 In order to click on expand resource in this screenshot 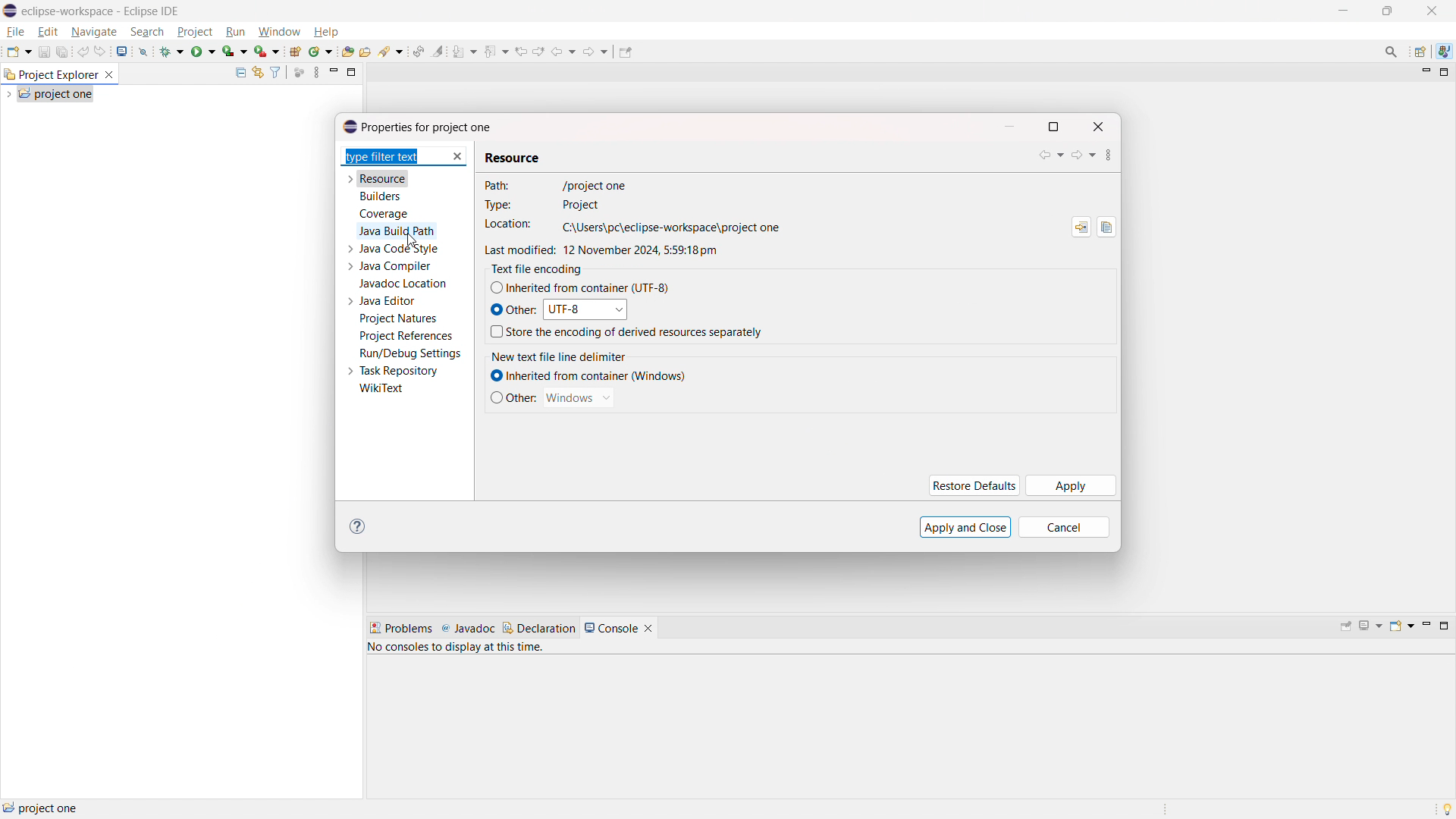, I will do `click(350, 180)`.